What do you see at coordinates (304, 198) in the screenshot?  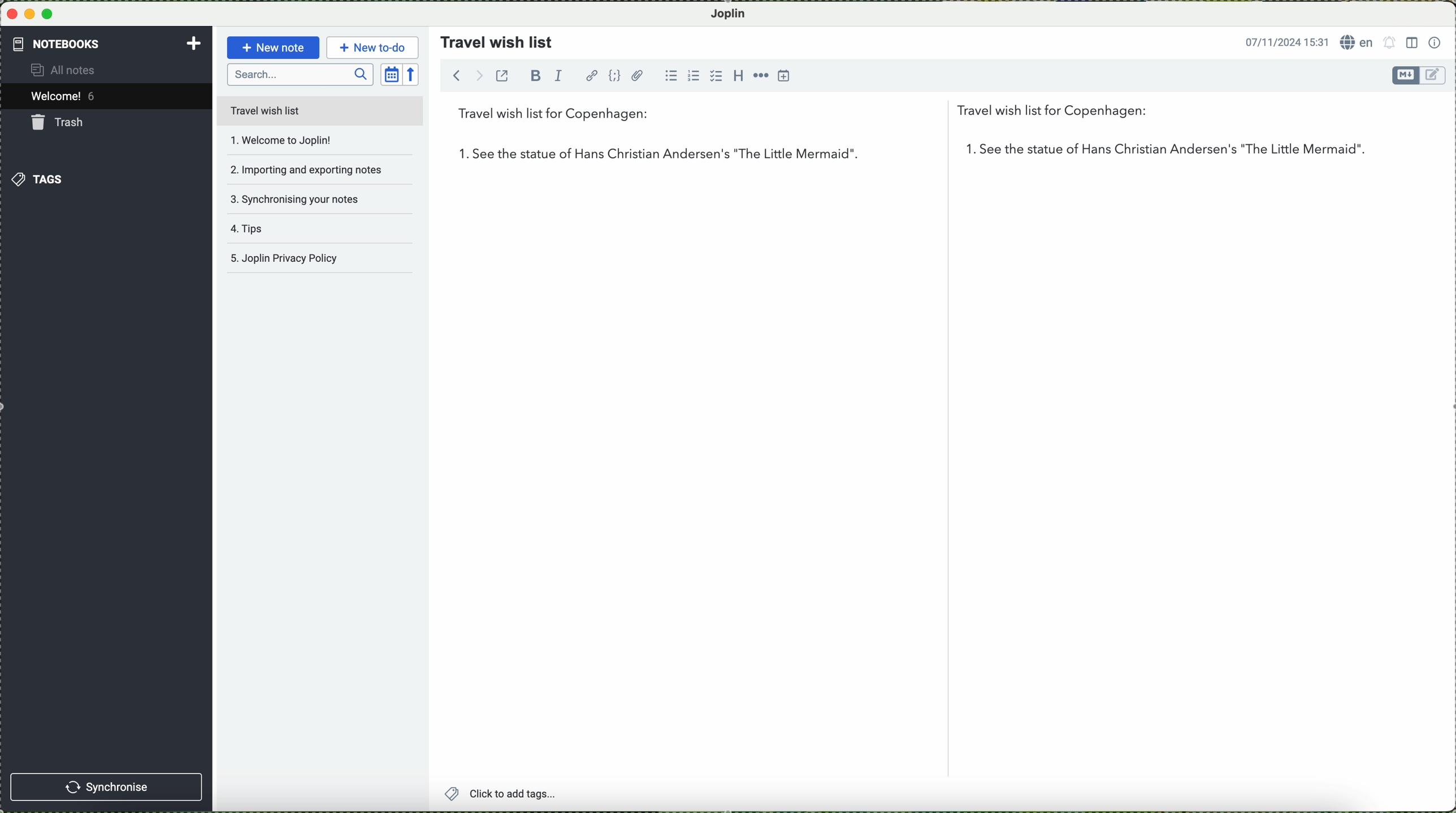 I see `synchronising your notes` at bounding box center [304, 198].